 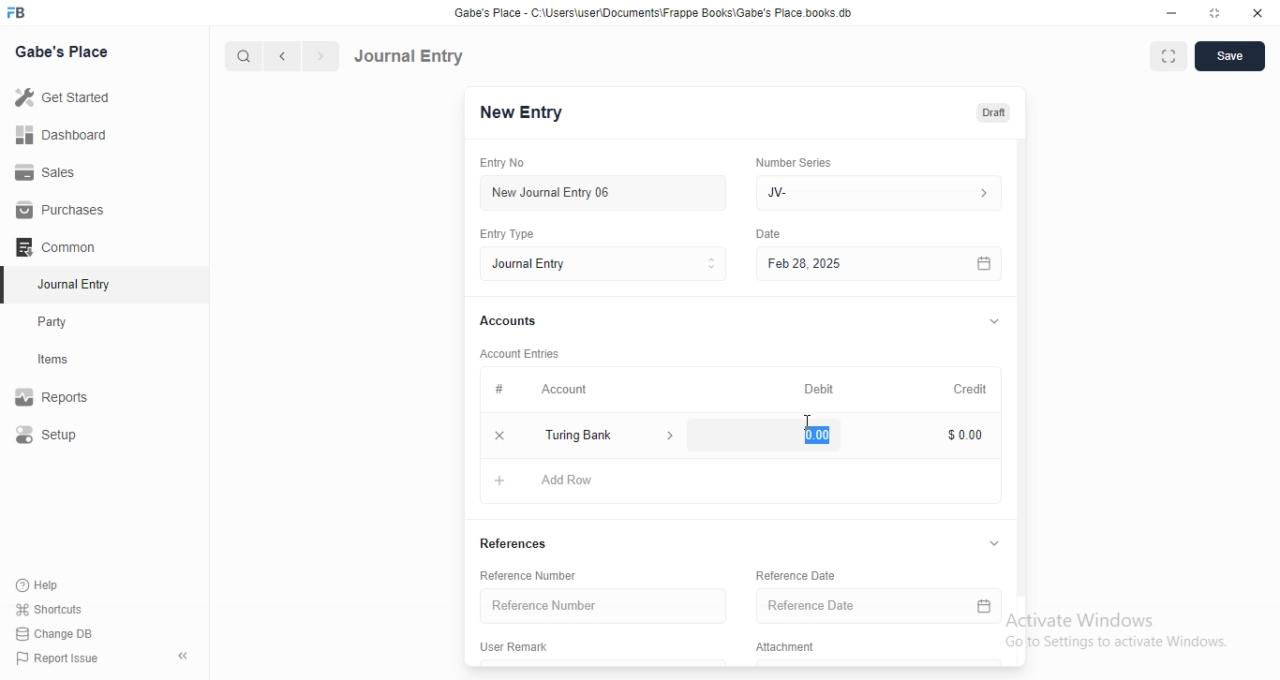 What do you see at coordinates (808, 423) in the screenshot?
I see `cursor` at bounding box center [808, 423].